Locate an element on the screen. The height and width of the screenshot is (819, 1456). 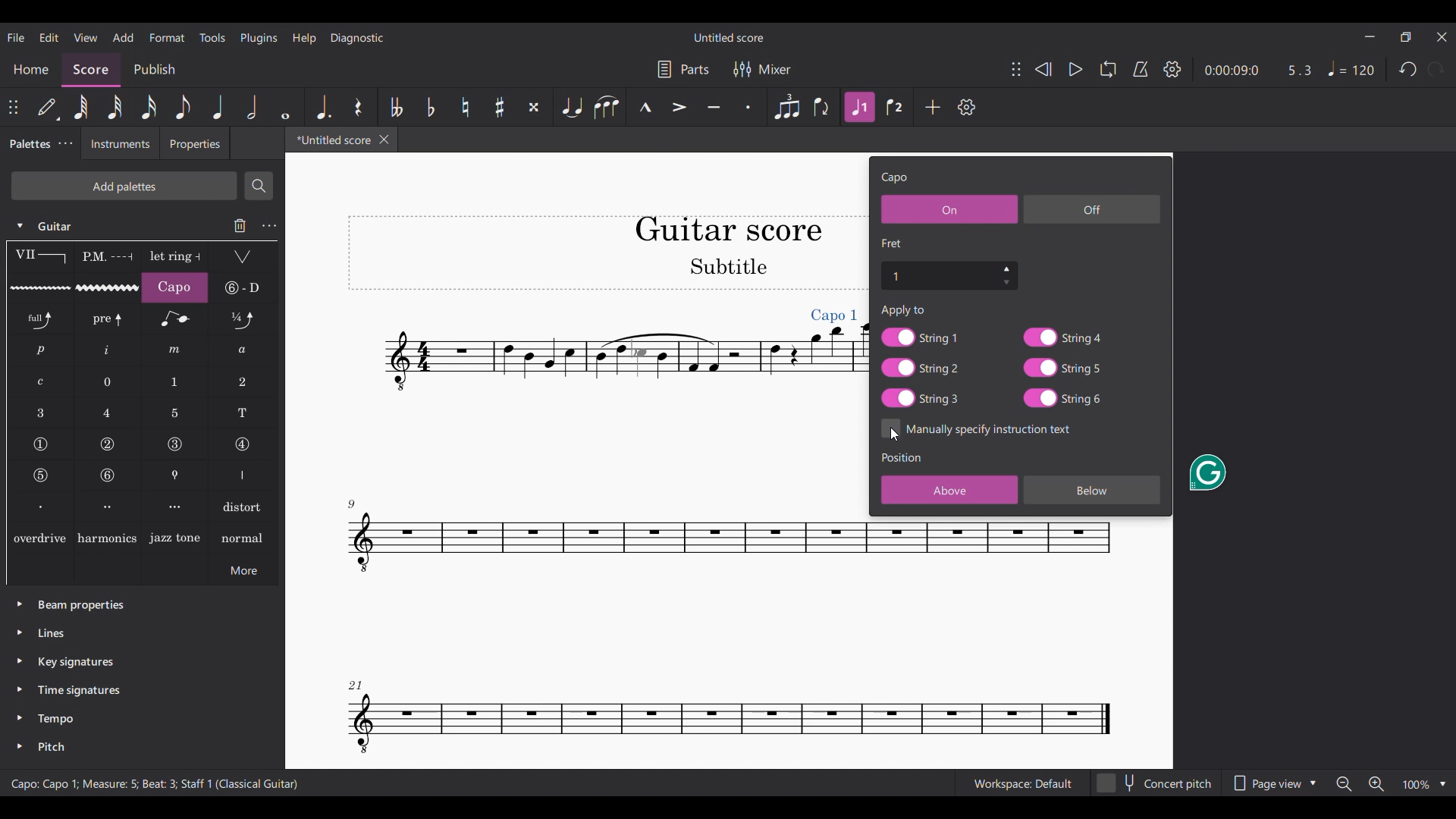
Highlighted after current selection is located at coordinates (861, 108).